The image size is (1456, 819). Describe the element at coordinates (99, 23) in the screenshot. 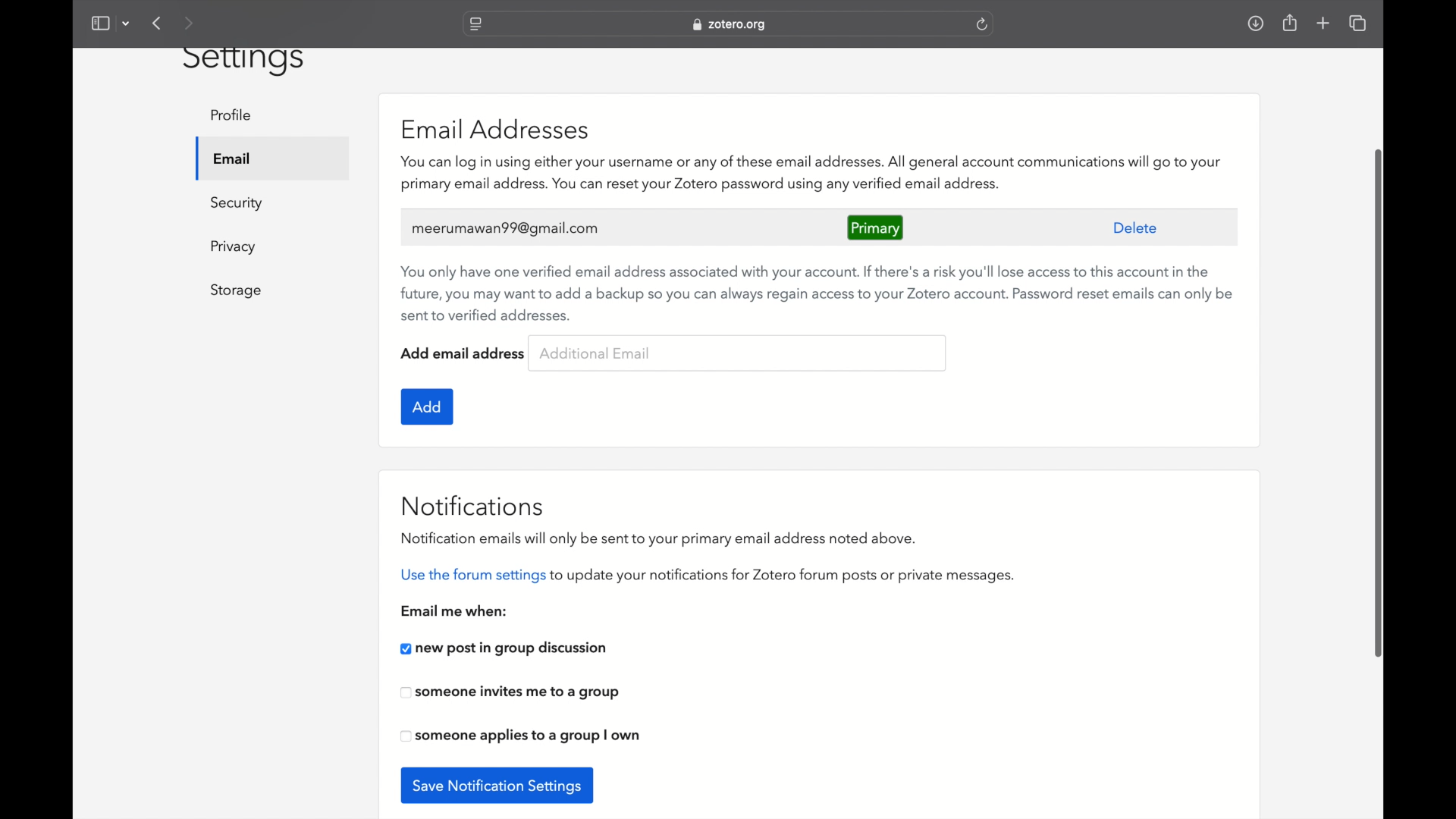

I see `show sidebar` at that location.